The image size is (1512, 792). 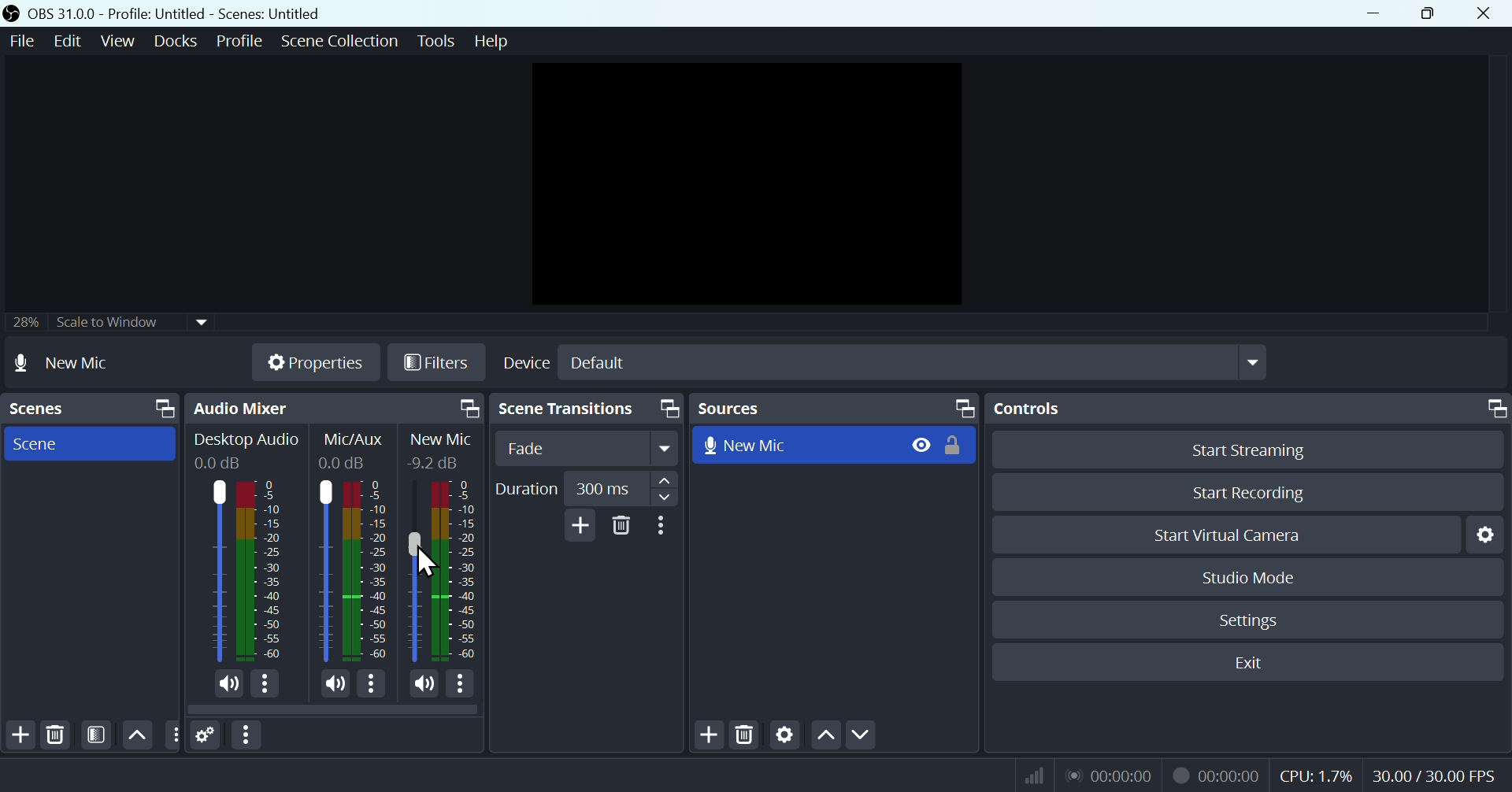 I want to click on Scenes, so click(x=89, y=409).